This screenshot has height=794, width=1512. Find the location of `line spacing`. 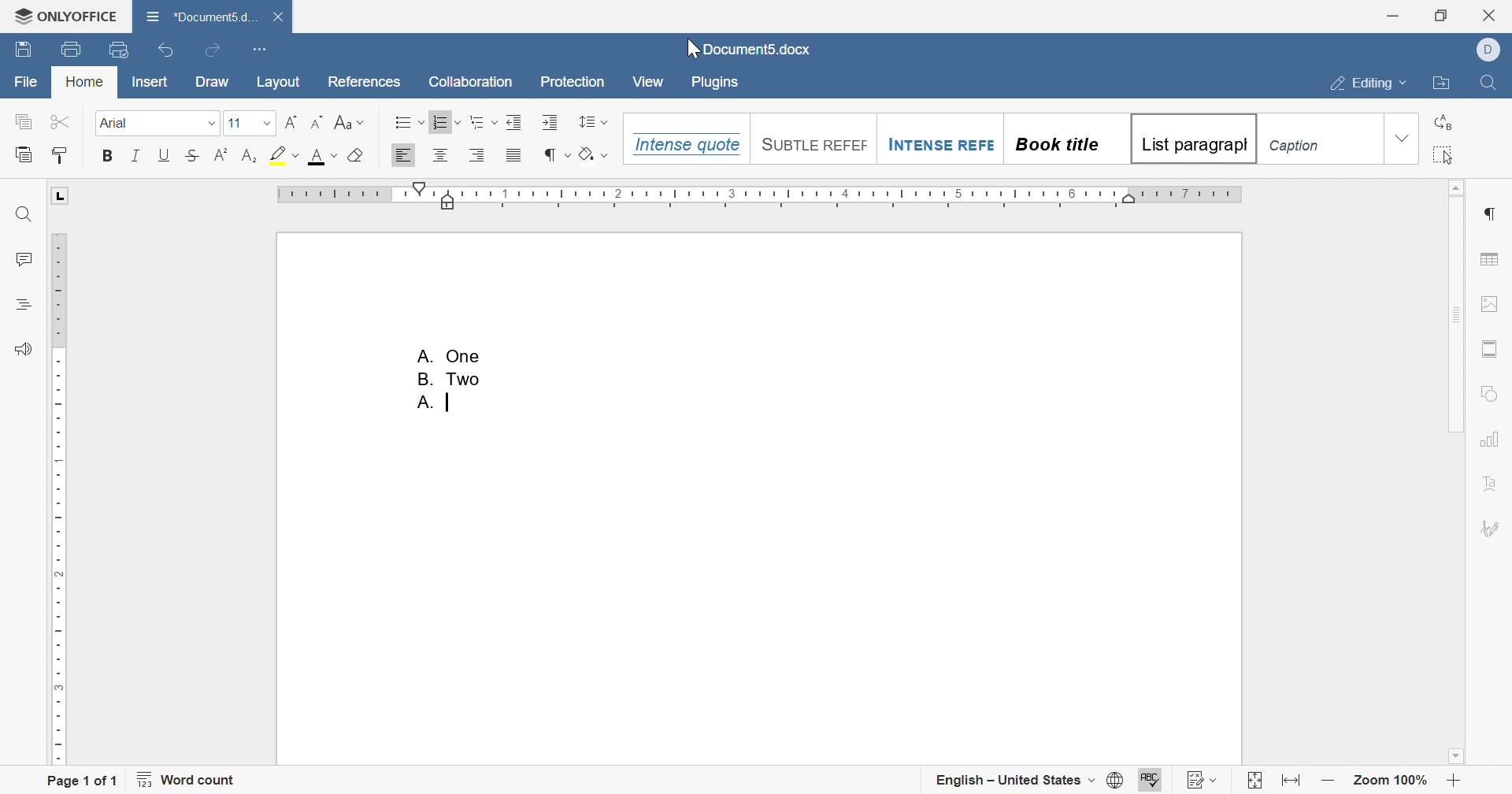

line spacing is located at coordinates (594, 121).